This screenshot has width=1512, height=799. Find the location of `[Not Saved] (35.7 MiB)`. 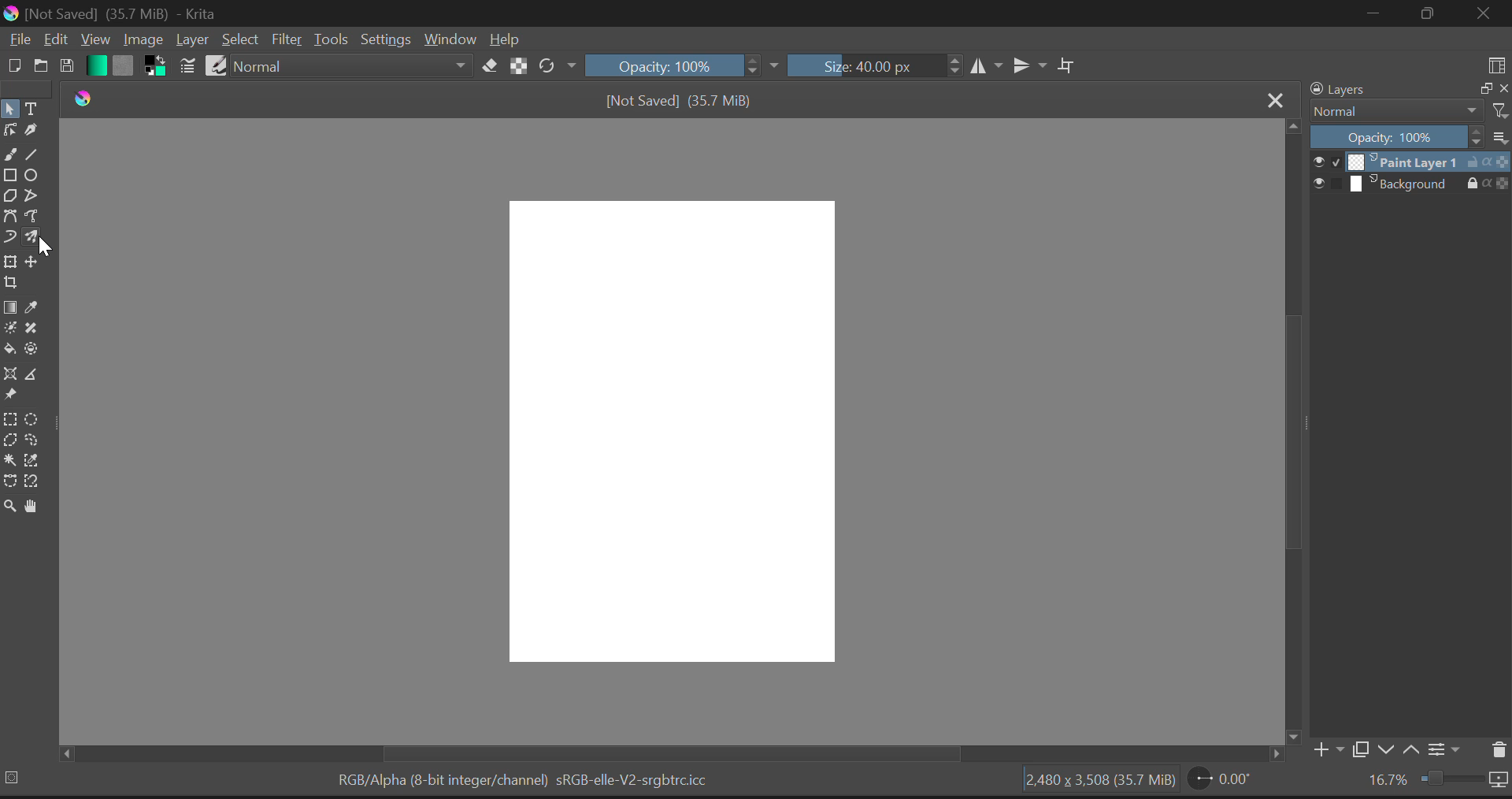

[Not Saved] (35.7 MiB) is located at coordinates (684, 101).